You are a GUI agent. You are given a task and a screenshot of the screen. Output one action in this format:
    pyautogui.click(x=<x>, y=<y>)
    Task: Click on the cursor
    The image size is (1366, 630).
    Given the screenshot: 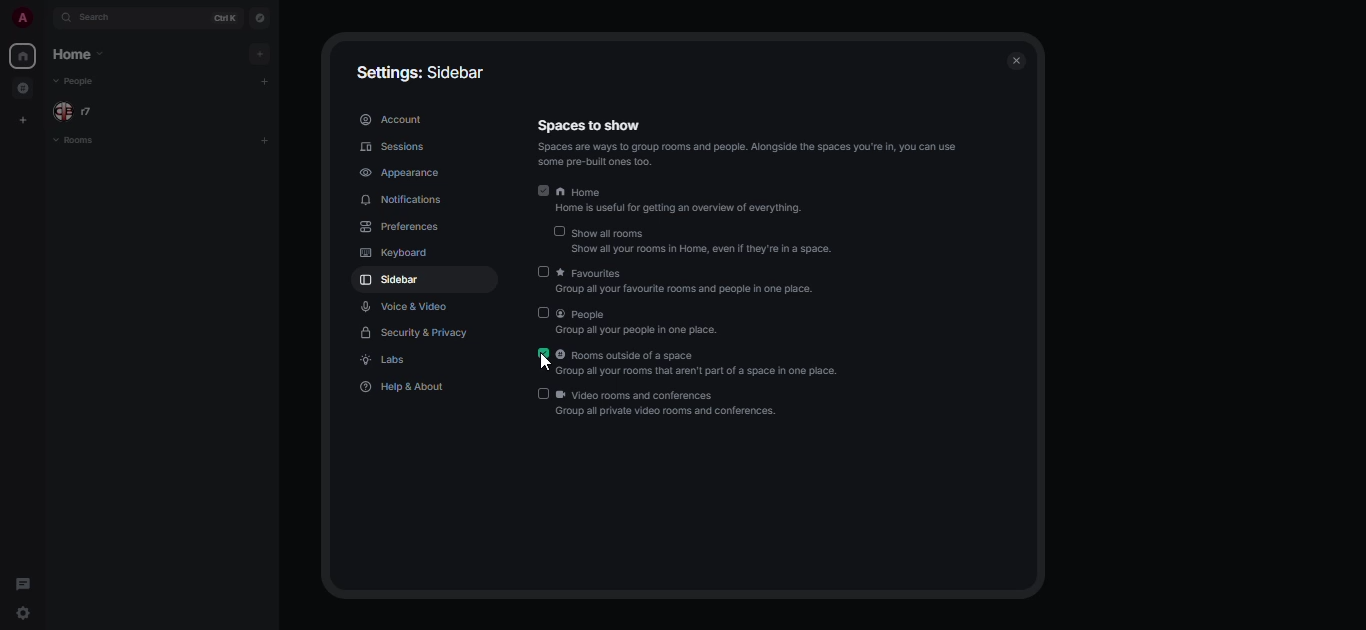 What is the action you would take?
    pyautogui.click(x=541, y=363)
    